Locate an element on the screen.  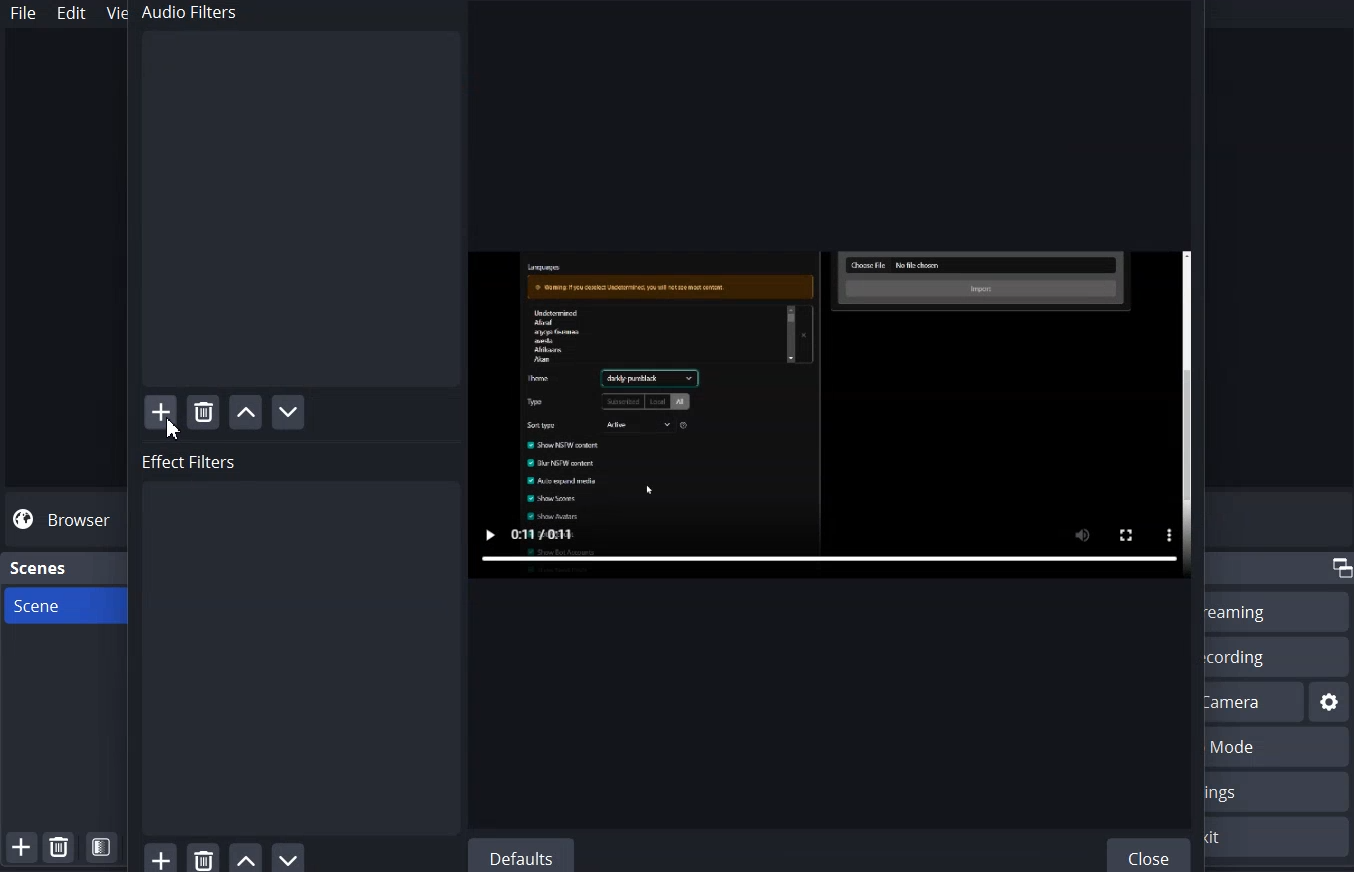
Settings is located at coordinates (1278, 791).